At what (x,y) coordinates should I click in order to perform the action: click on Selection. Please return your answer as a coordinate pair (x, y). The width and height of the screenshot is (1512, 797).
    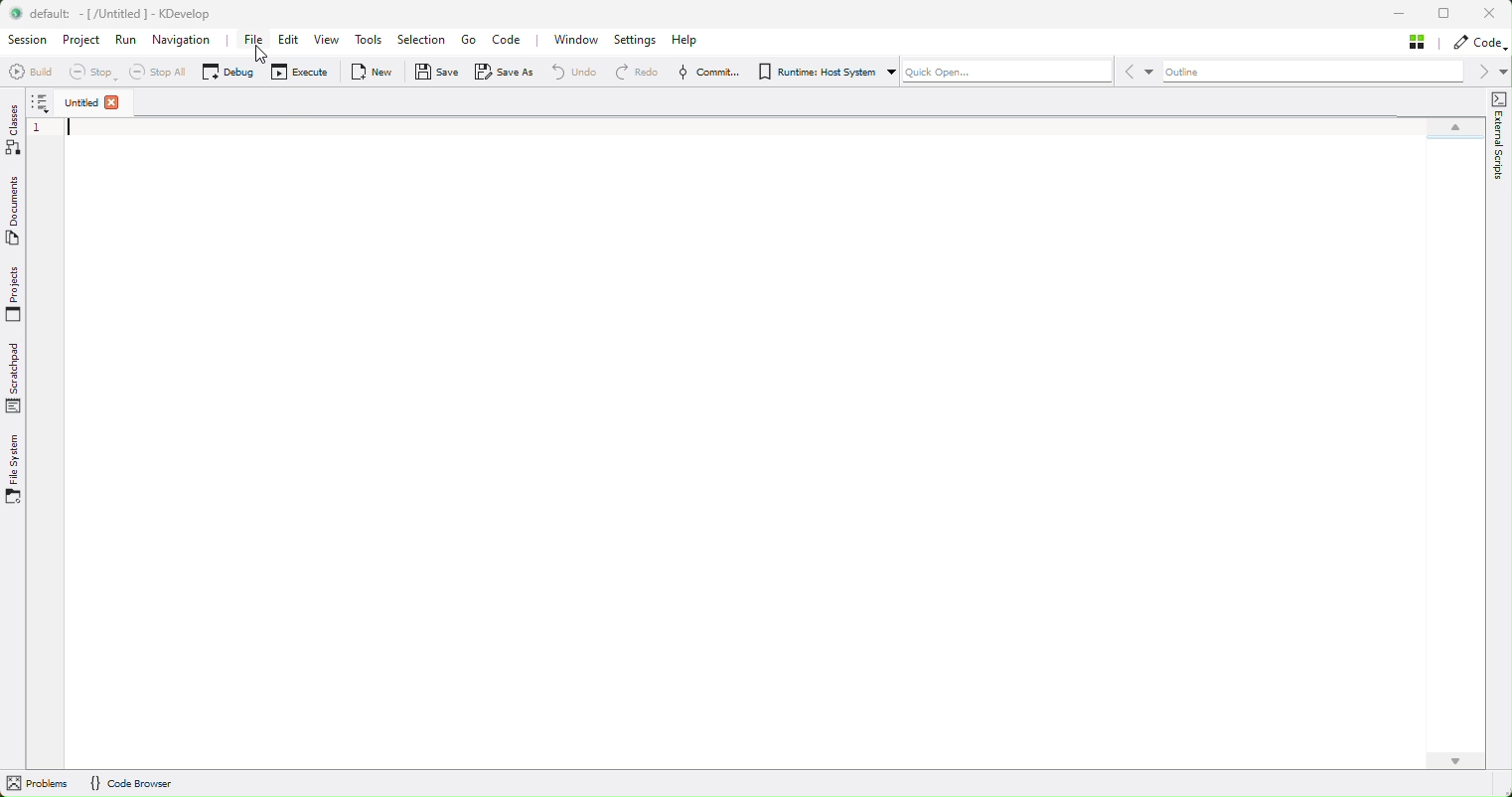
    Looking at the image, I should click on (421, 38).